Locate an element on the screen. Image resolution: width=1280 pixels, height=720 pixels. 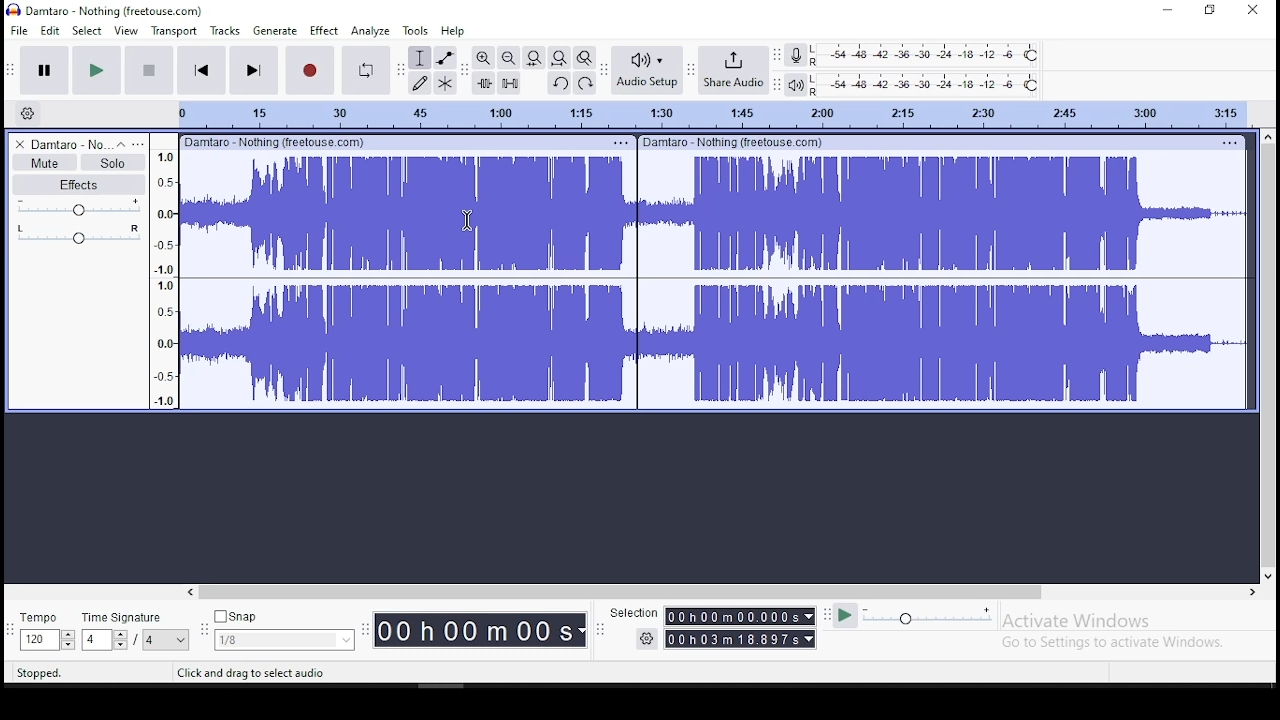
menu is located at coordinates (620, 143).